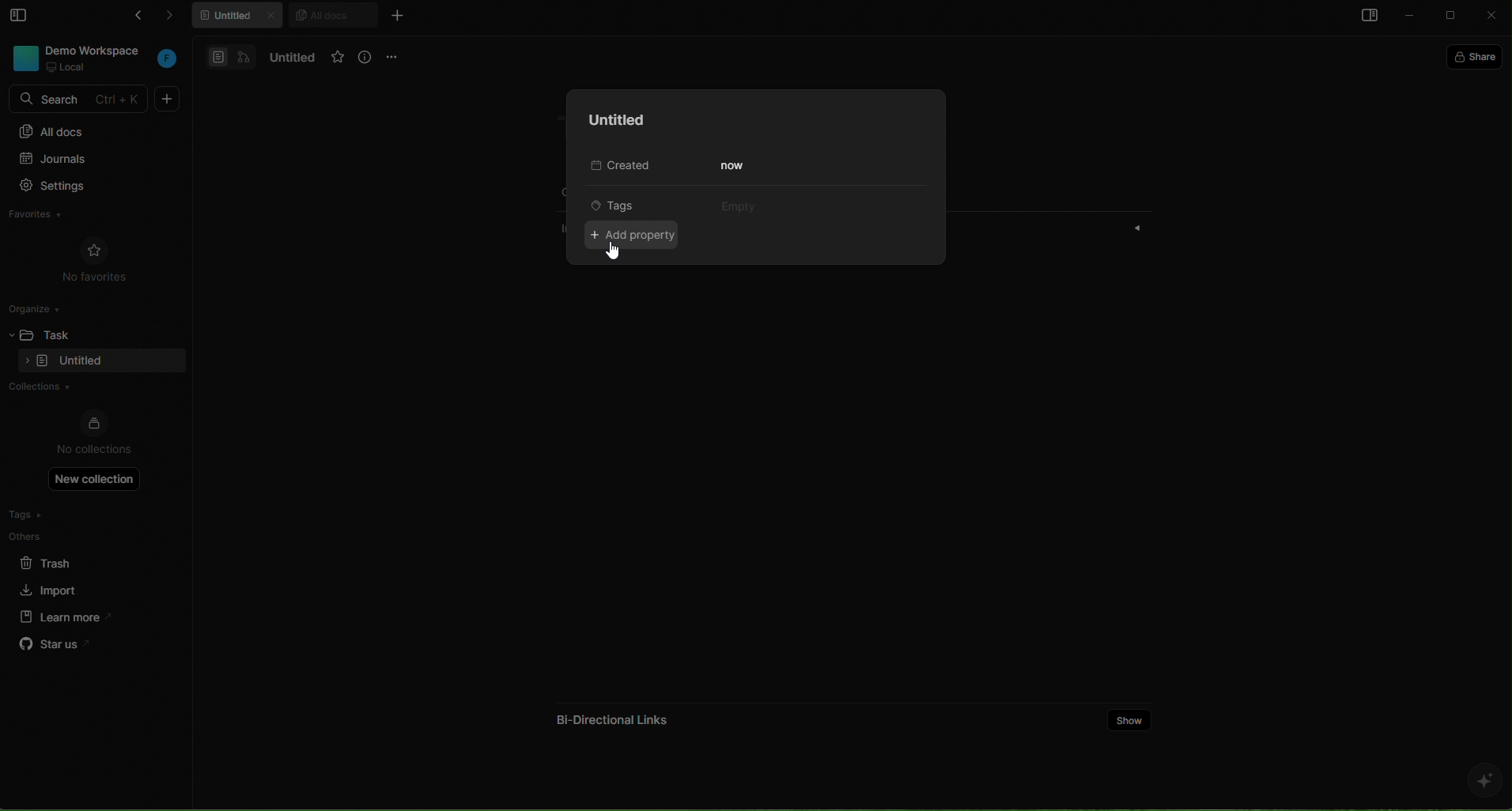 The height and width of the screenshot is (811, 1512). Describe the element at coordinates (1411, 17) in the screenshot. I see `minimize` at that location.